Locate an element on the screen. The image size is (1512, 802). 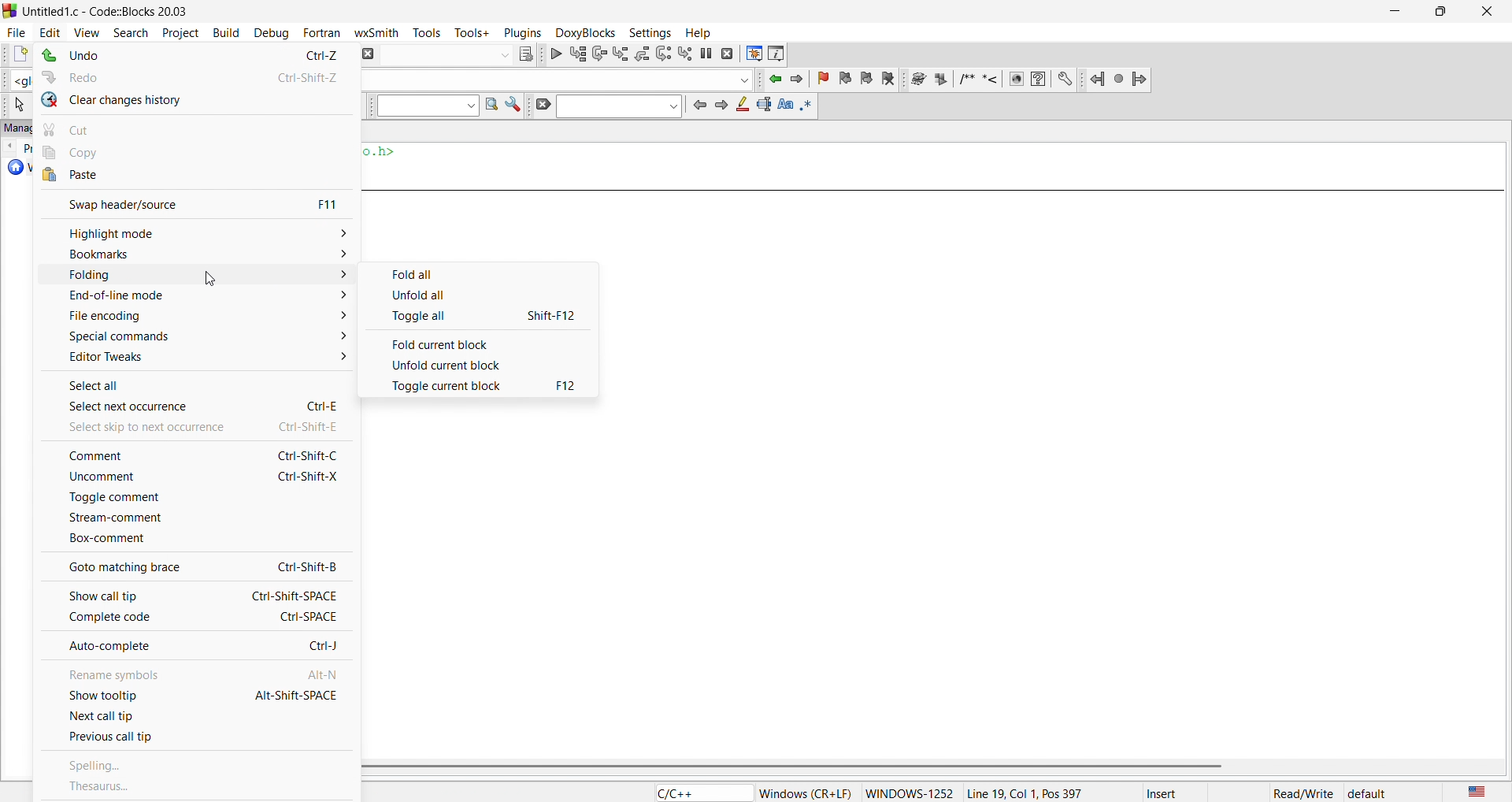
web is located at coordinates (1014, 79).